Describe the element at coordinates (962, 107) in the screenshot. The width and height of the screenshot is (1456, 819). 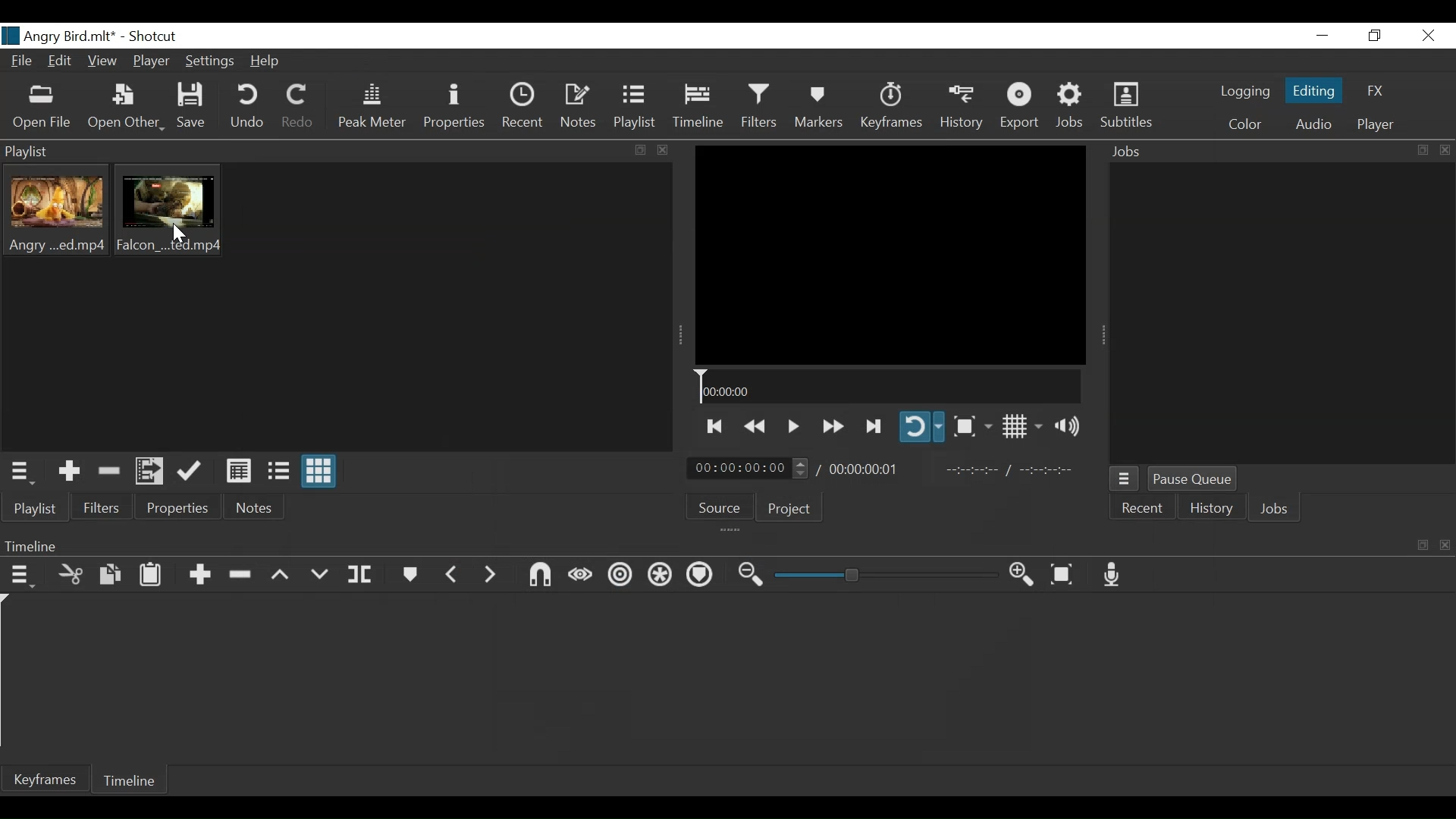
I see `History` at that location.